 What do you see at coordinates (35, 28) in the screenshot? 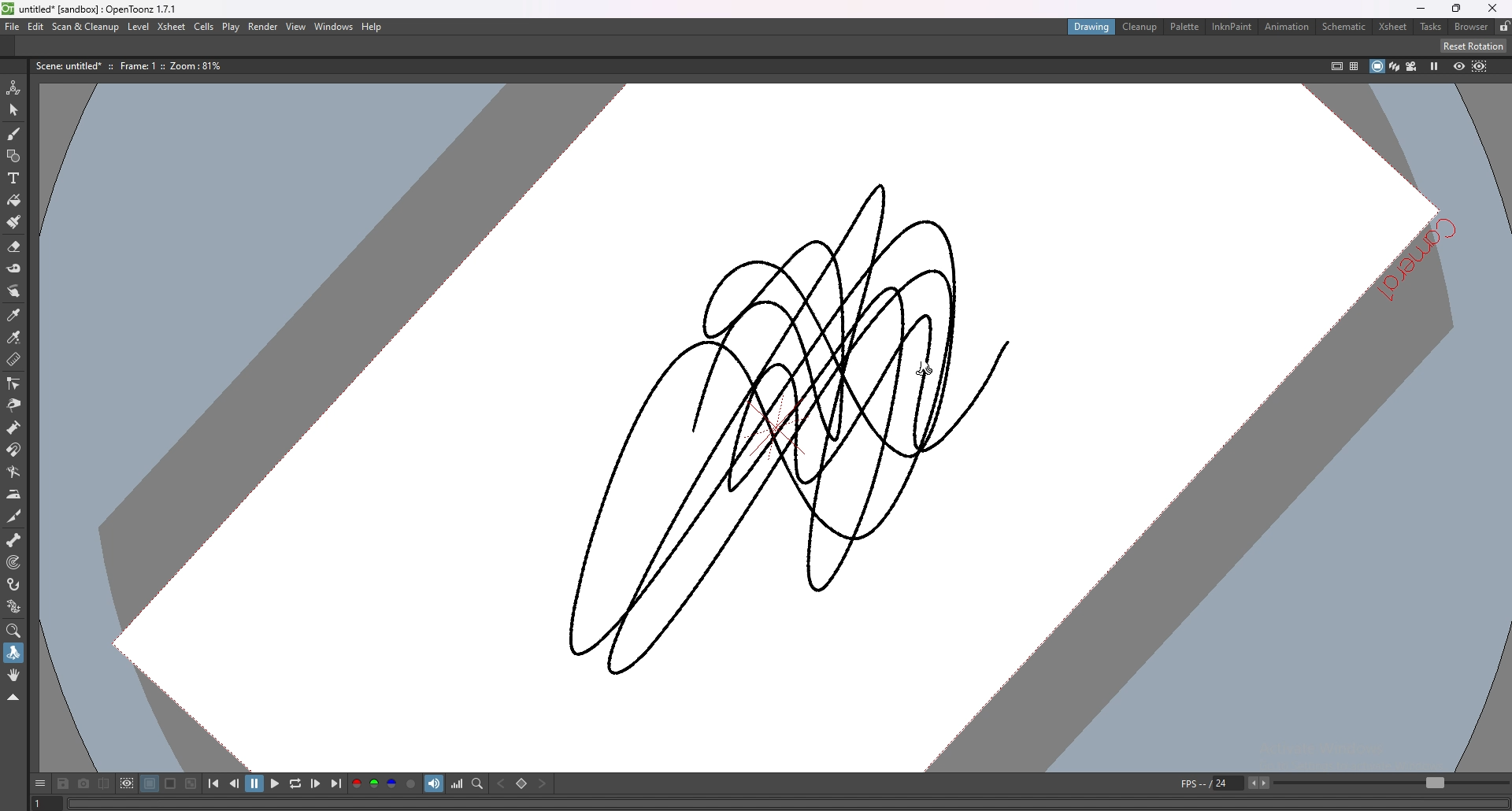
I see `edit` at bounding box center [35, 28].